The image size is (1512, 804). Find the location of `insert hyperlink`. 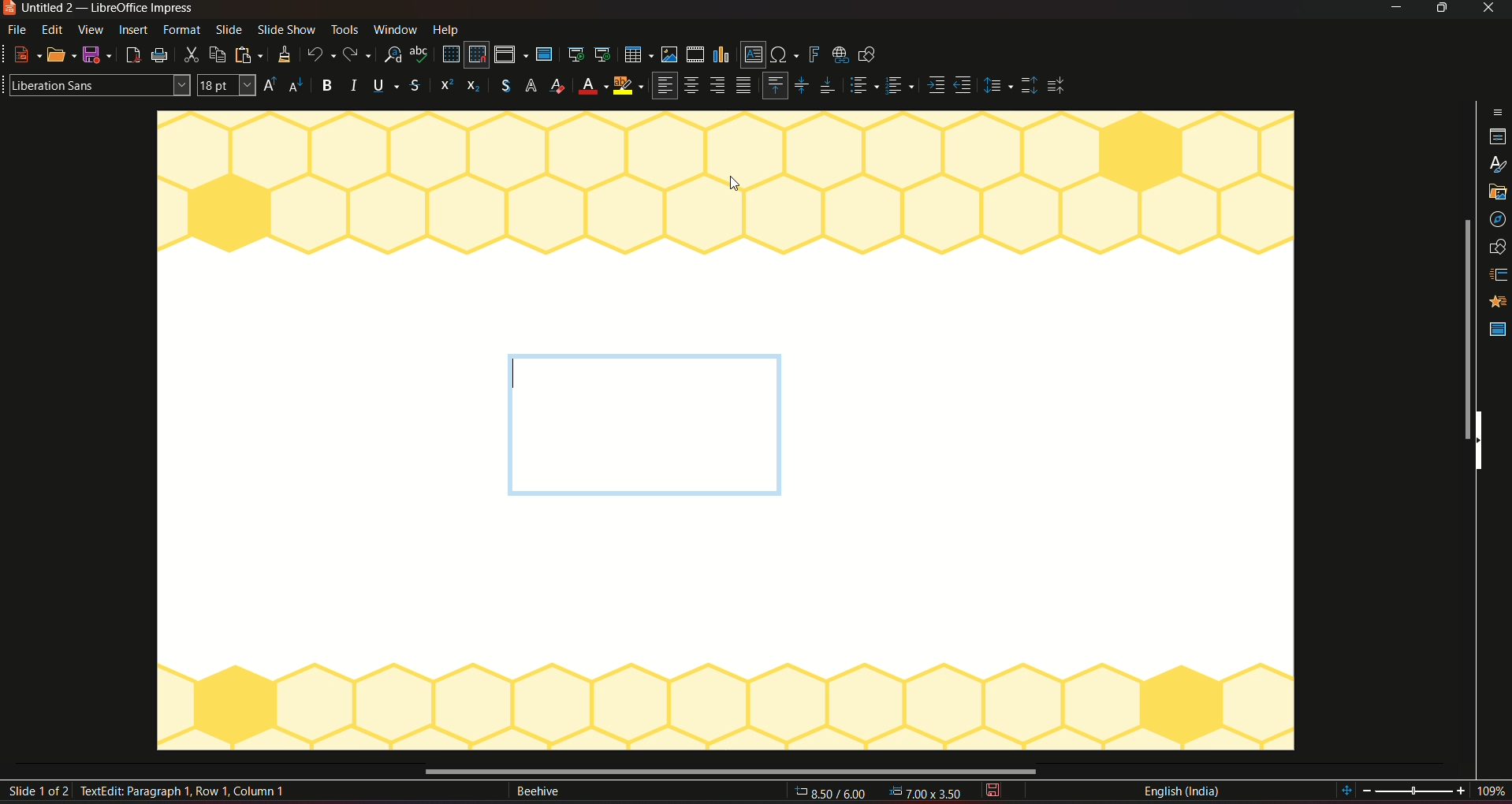

insert hyperlink is located at coordinates (839, 54).